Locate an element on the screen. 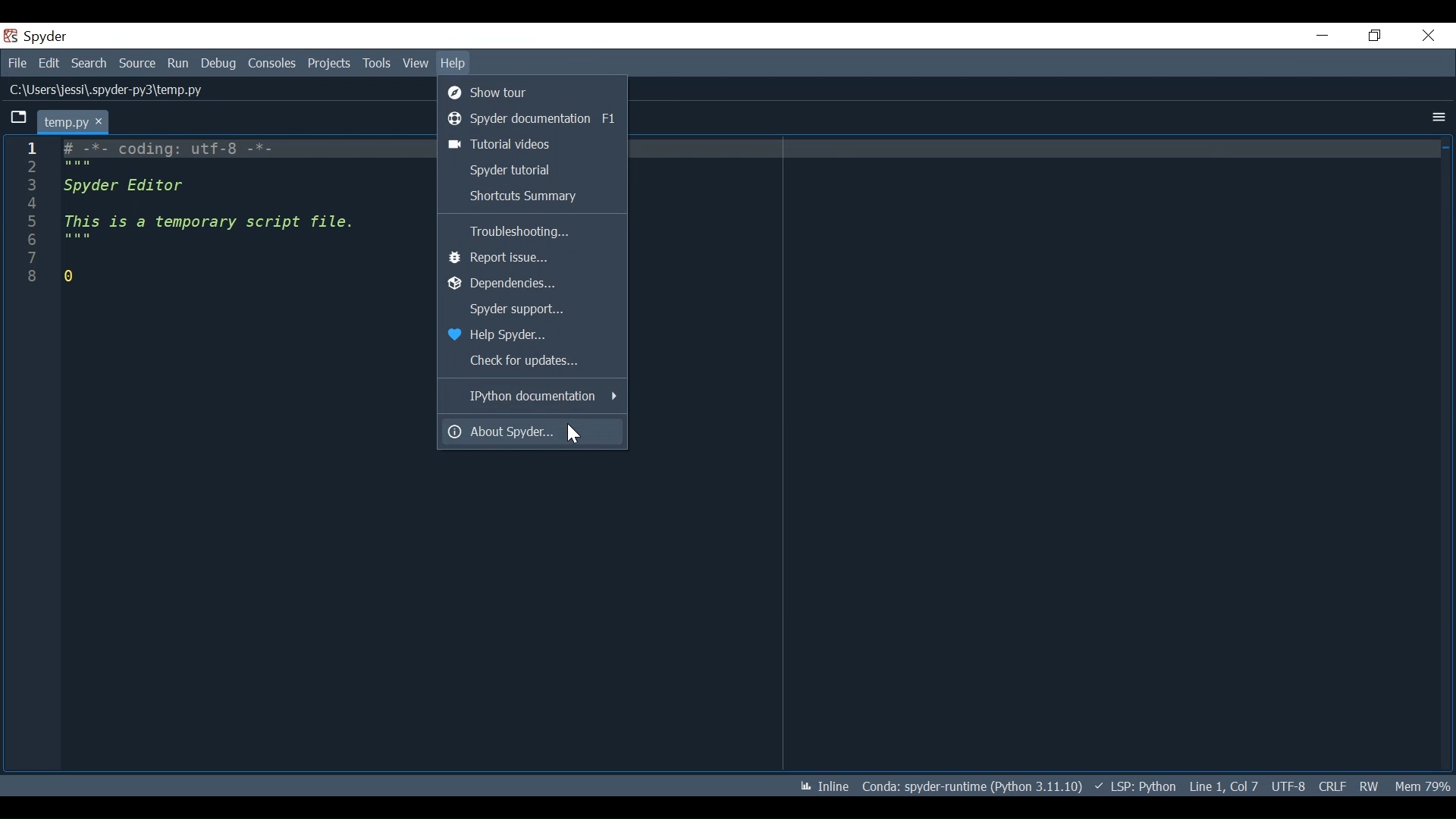 The image size is (1456, 819). RW is located at coordinates (1368, 786).